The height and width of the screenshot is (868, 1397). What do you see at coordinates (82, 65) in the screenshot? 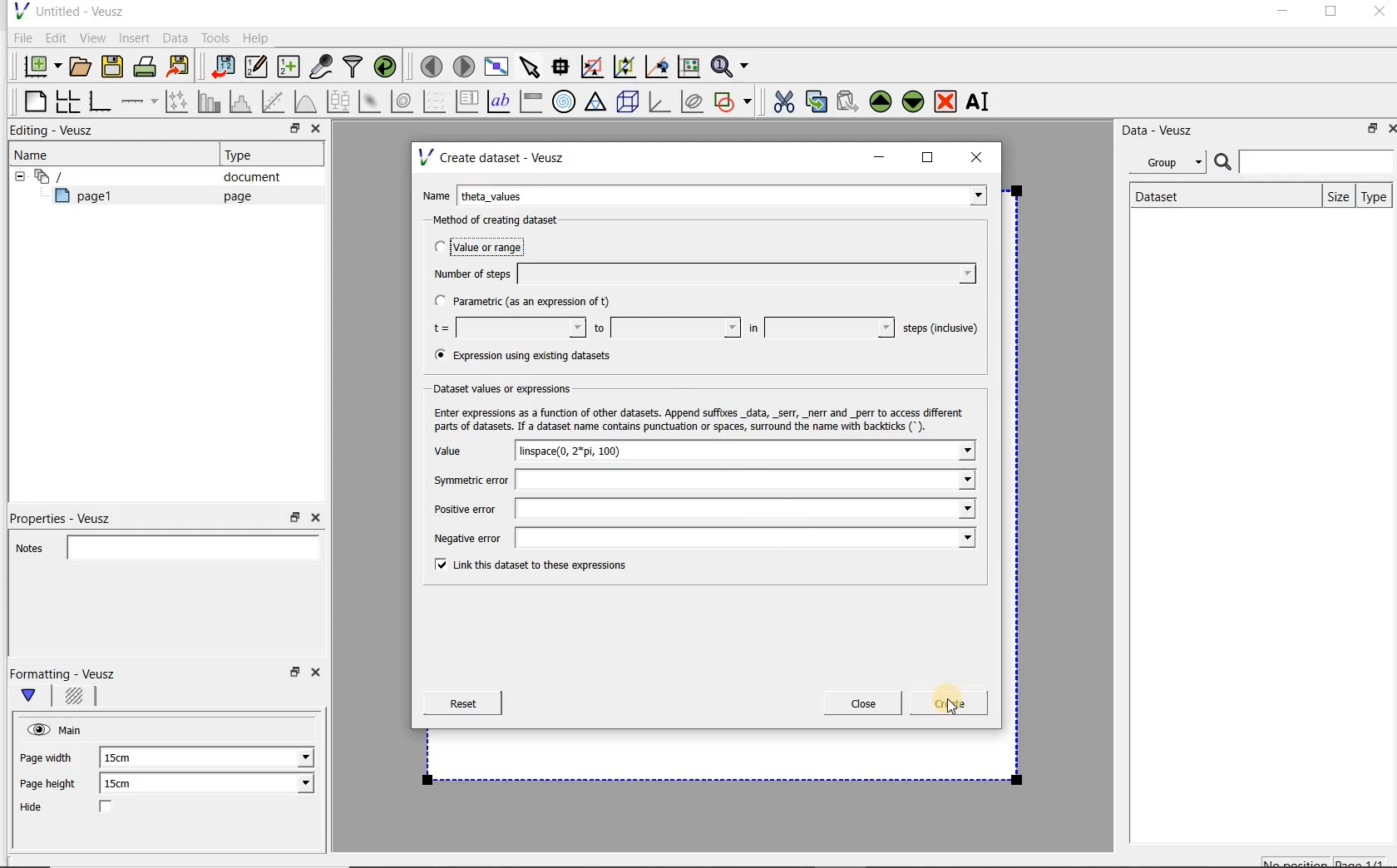
I see `open a document` at bounding box center [82, 65].